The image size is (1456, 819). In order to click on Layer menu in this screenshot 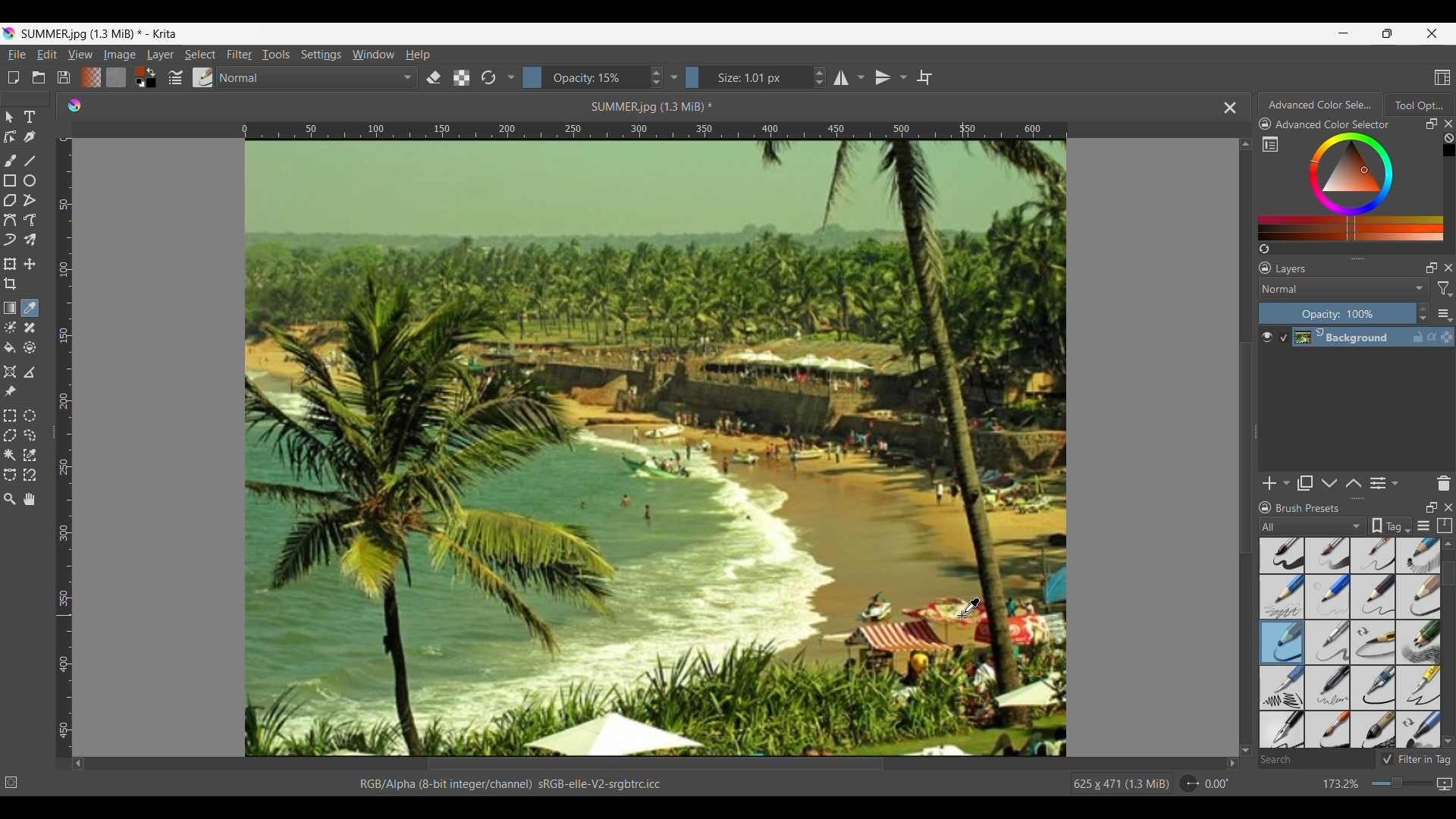, I will do `click(159, 55)`.